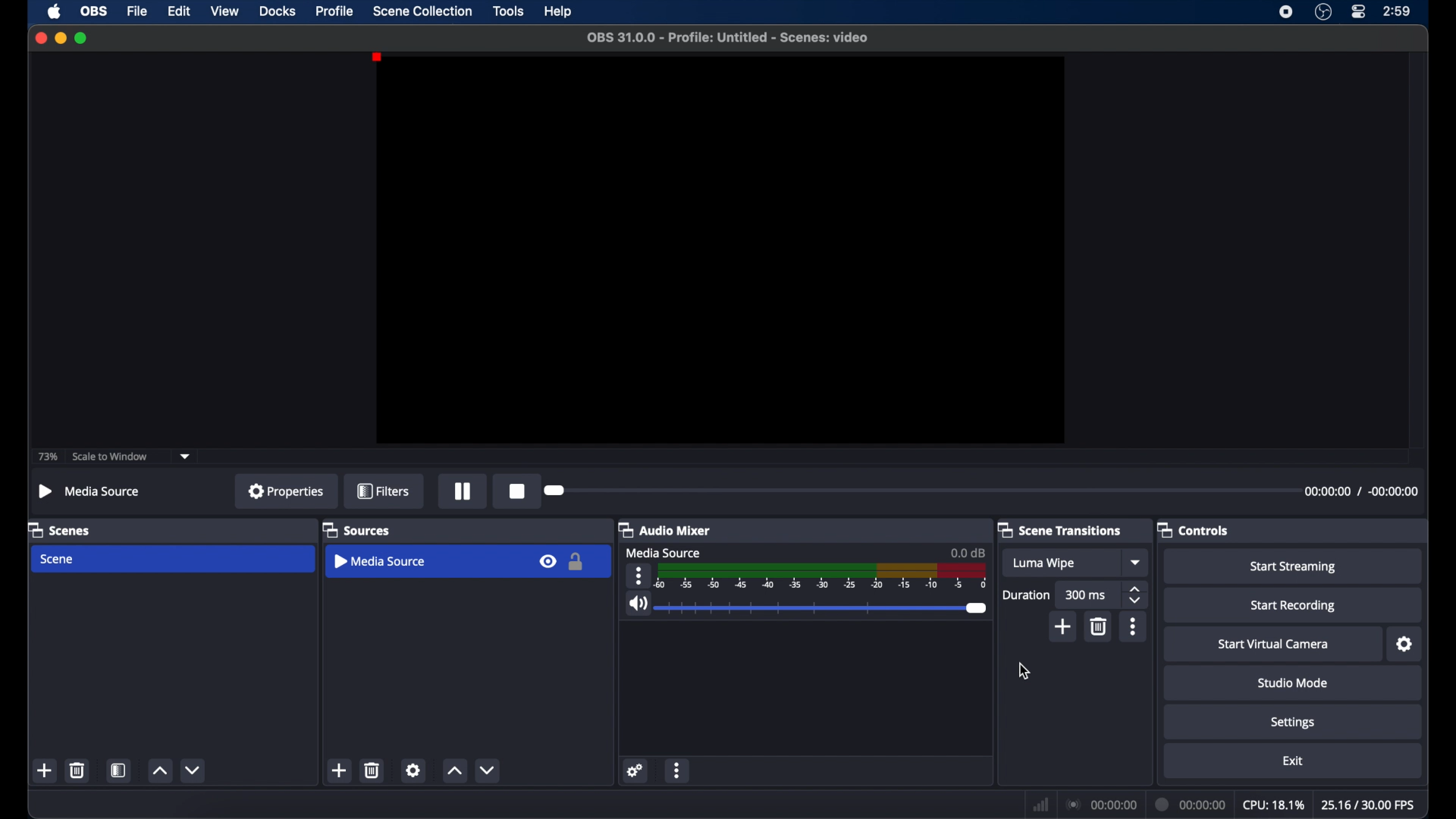 The width and height of the screenshot is (1456, 819). I want to click on start virtual camera, so click(1274, 645).